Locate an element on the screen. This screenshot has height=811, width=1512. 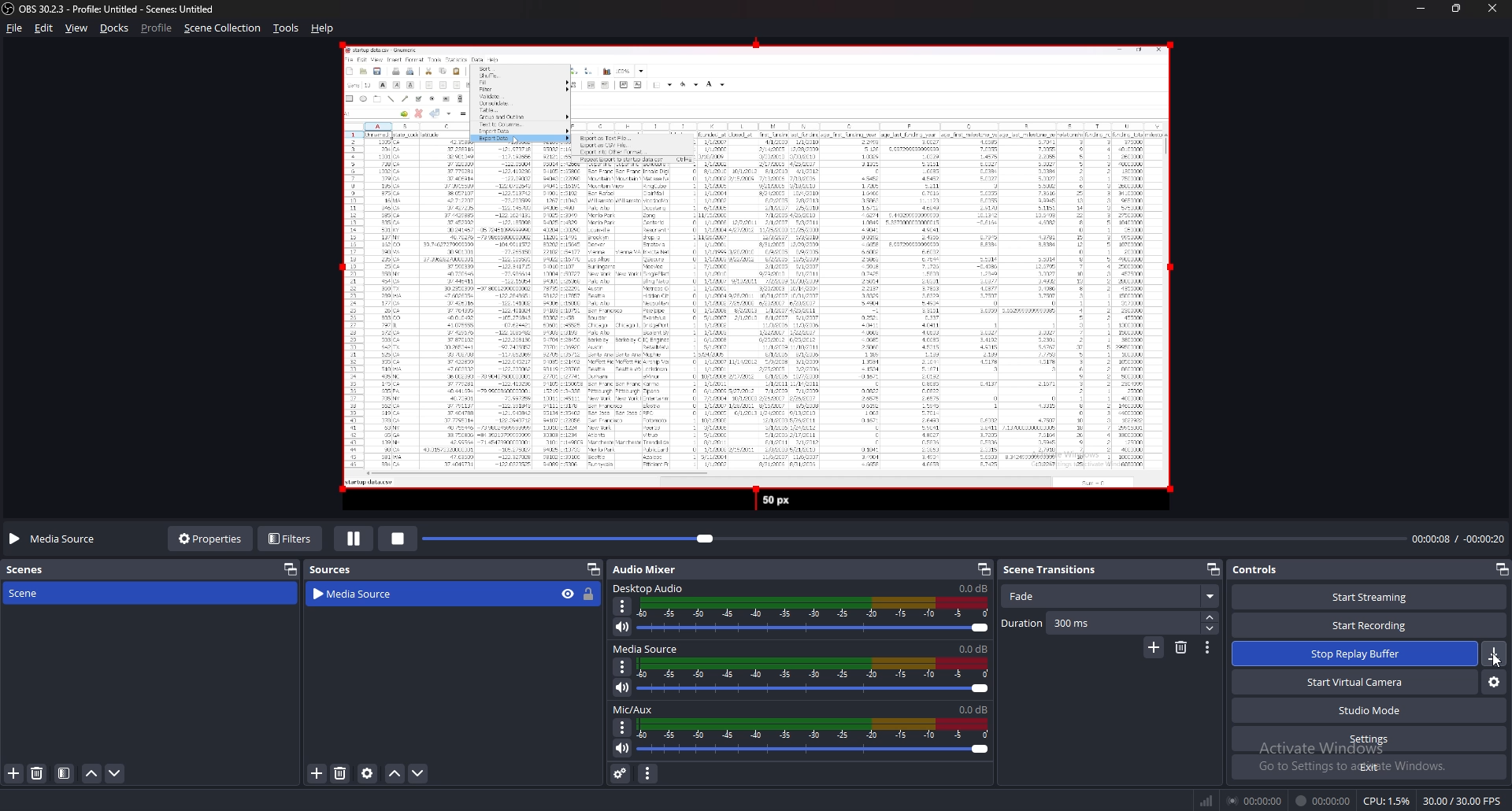
0.0db is located at coordinates (974, 587).